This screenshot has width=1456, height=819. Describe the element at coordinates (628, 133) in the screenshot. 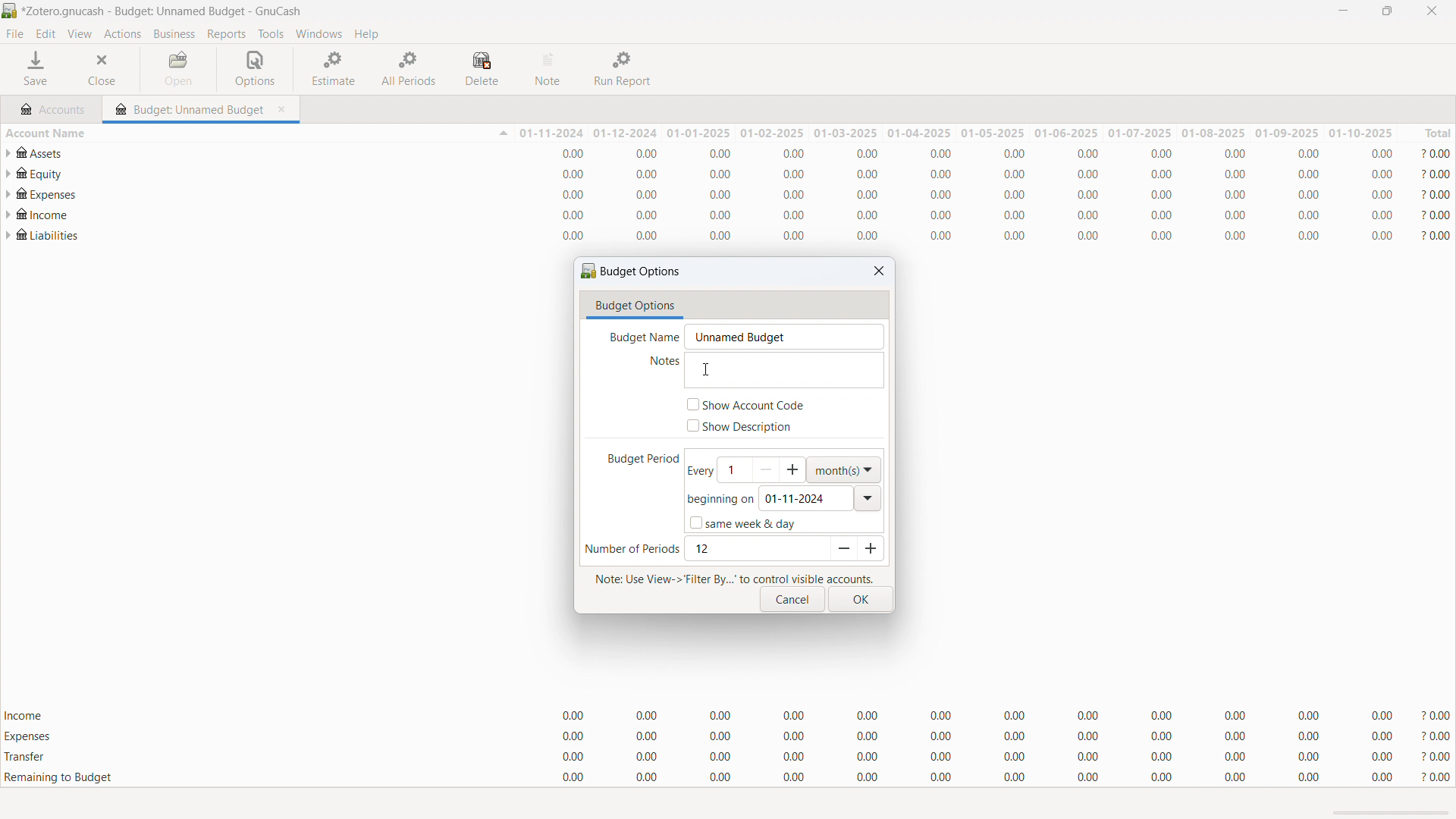

I see `01-12-2024` at that location.